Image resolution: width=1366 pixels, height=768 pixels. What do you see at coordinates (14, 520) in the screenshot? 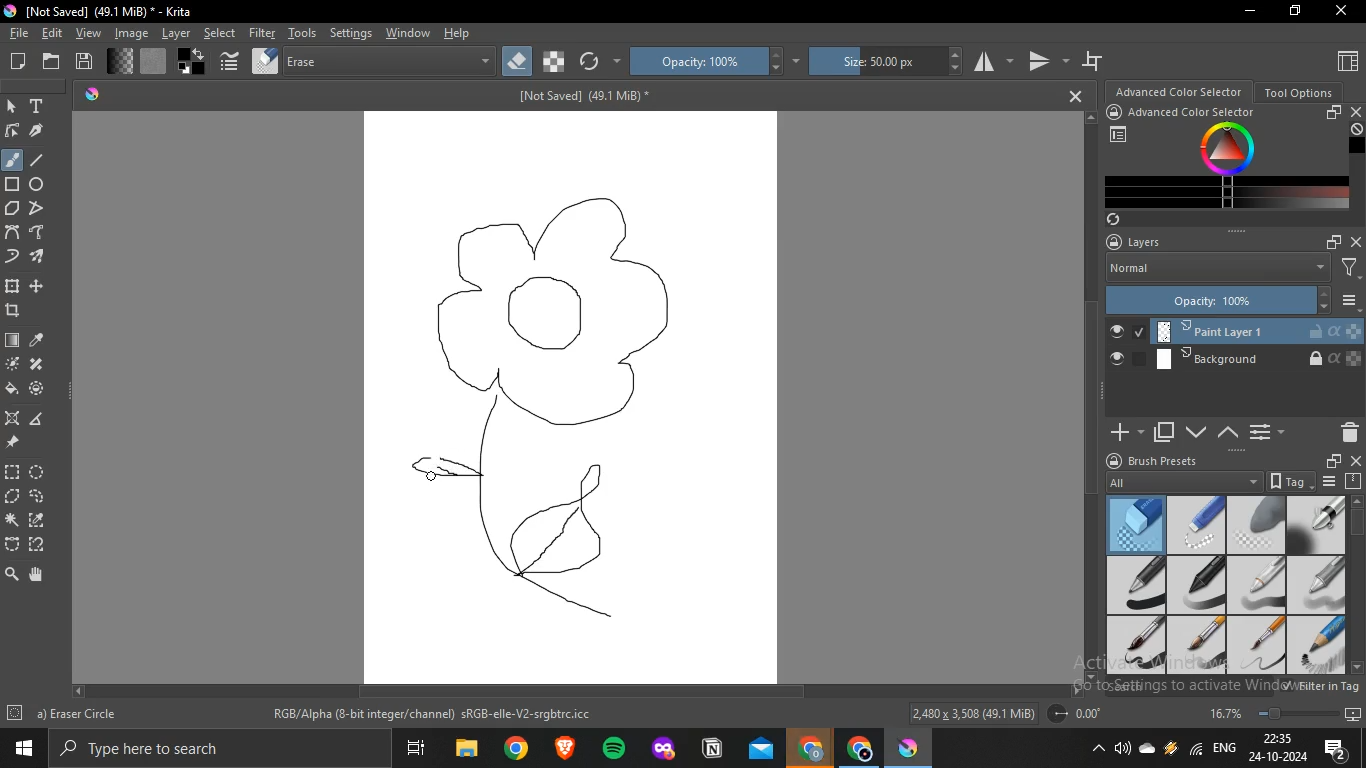
I see `configure selection tool` at bounding box center [14, 520].